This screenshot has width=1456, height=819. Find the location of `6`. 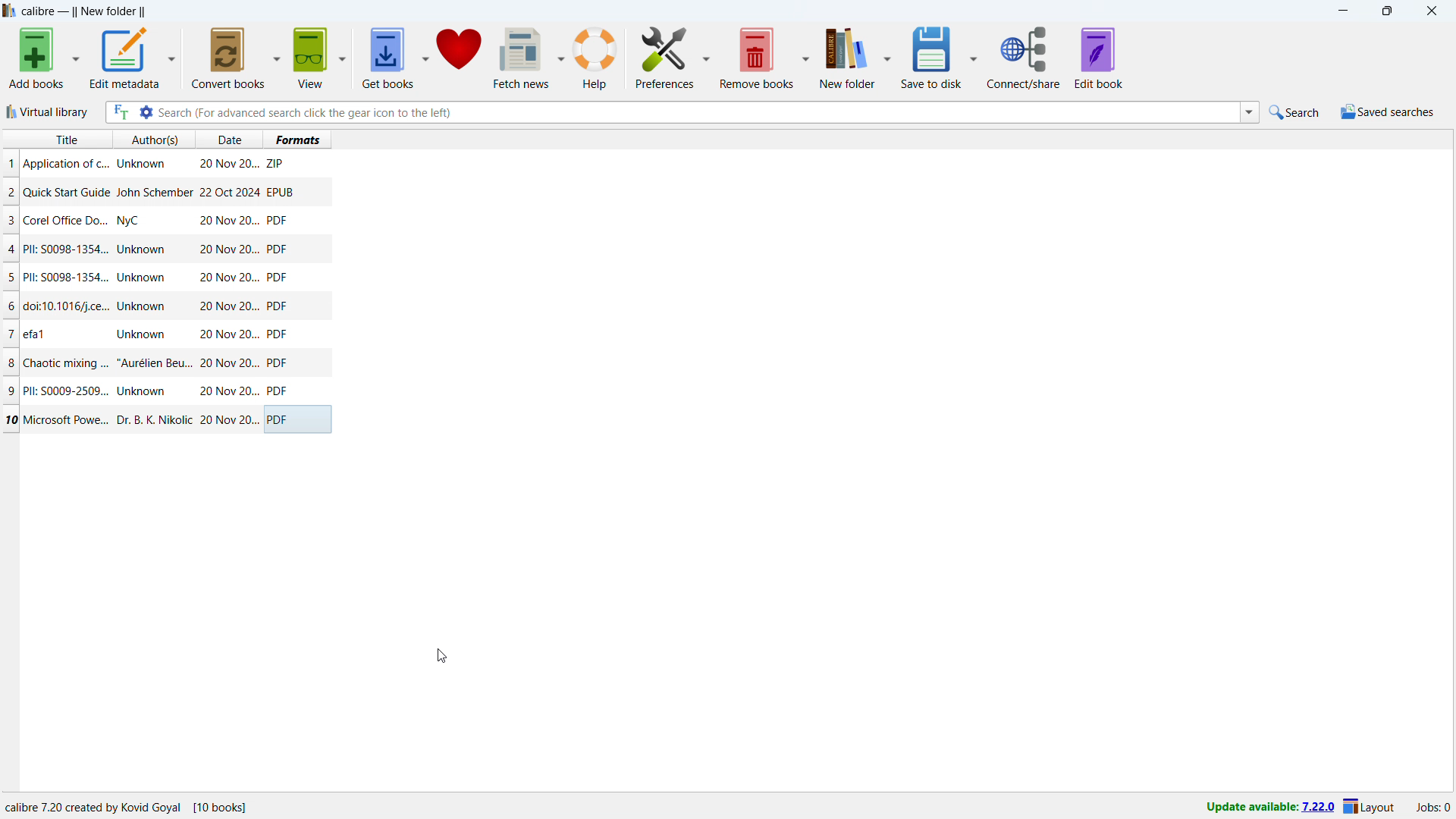

6 is located at coordinates (10, 307).